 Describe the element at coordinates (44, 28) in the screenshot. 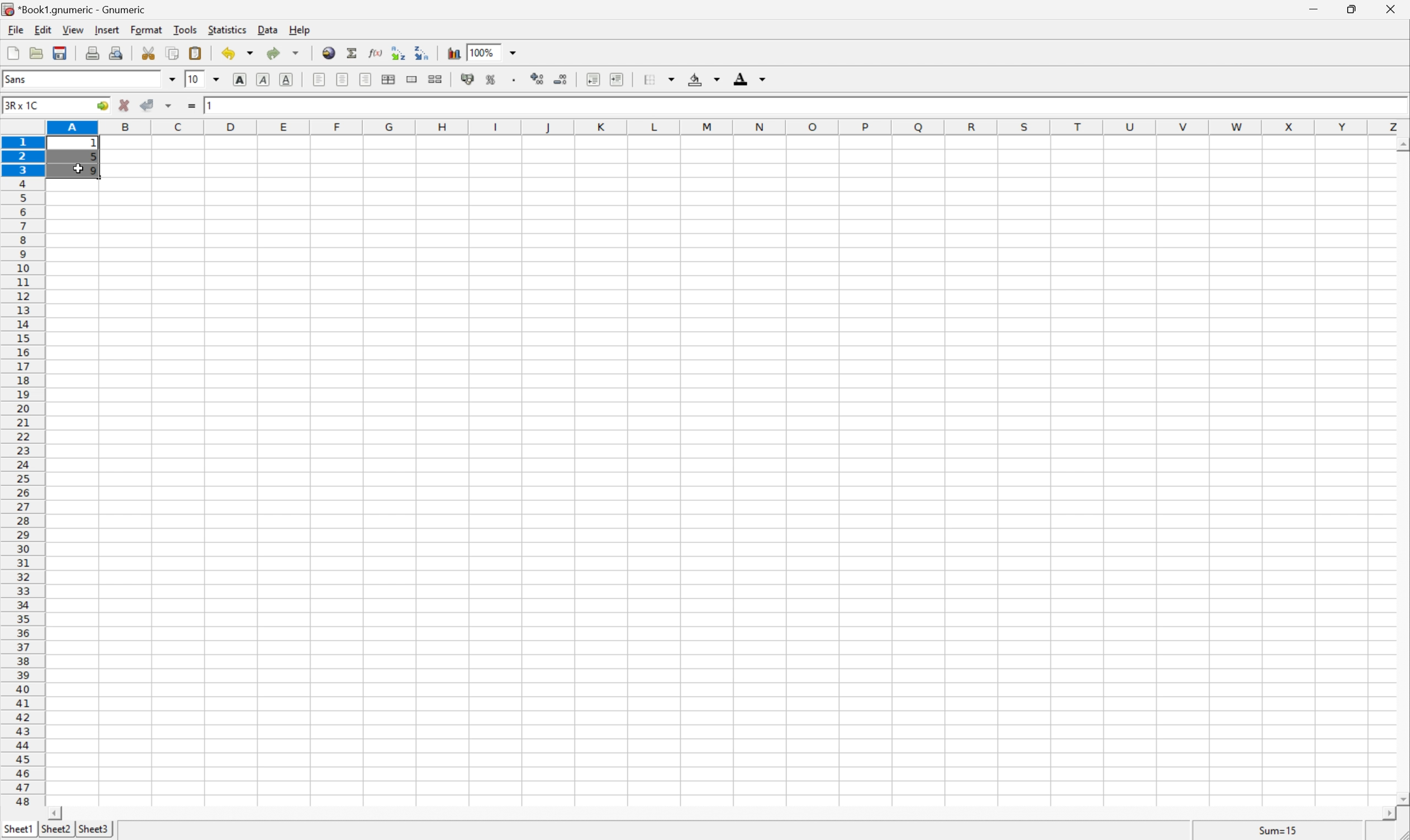

I see `edit` at that location.